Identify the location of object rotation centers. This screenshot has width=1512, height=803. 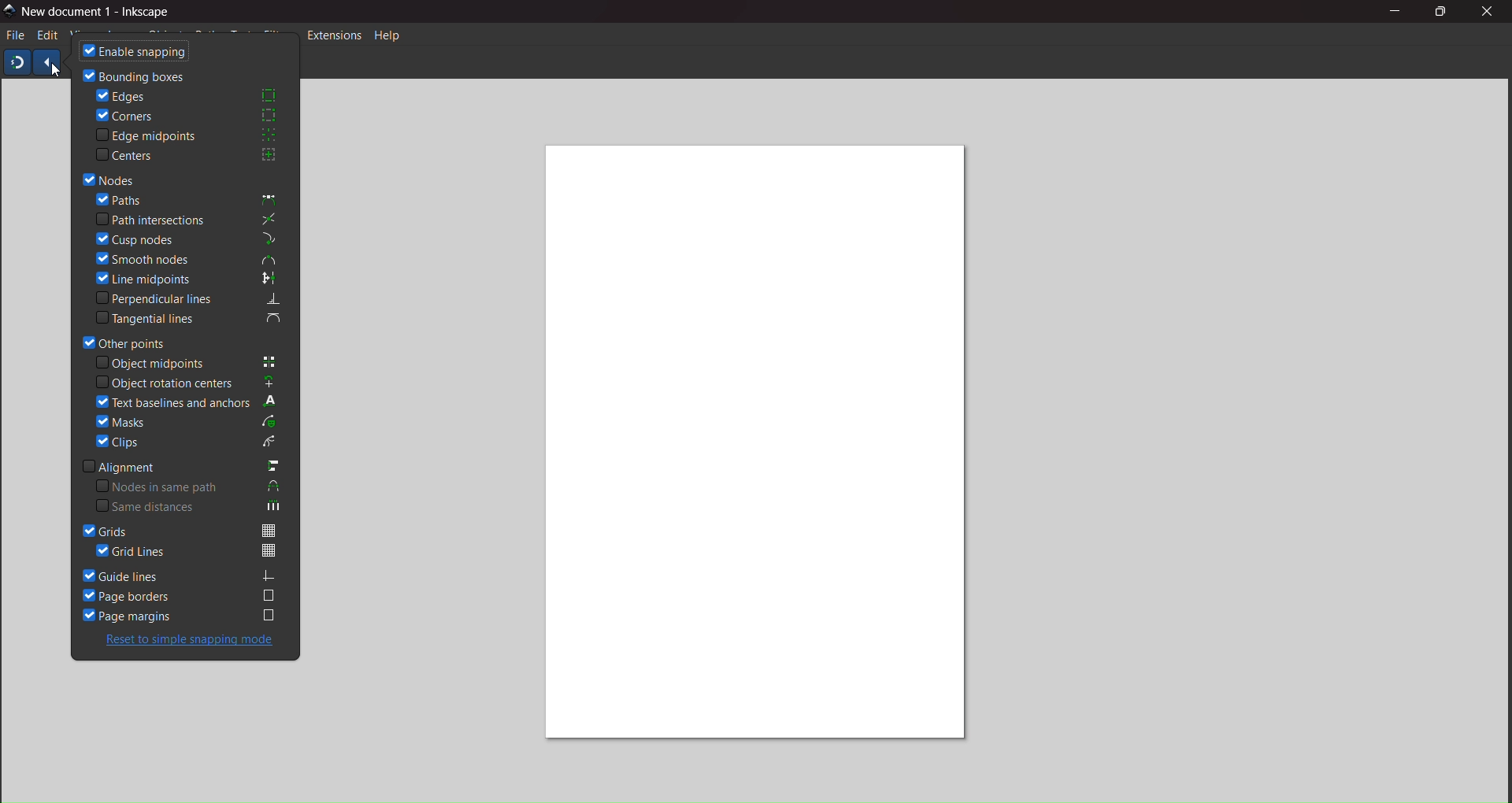
(190, 382).